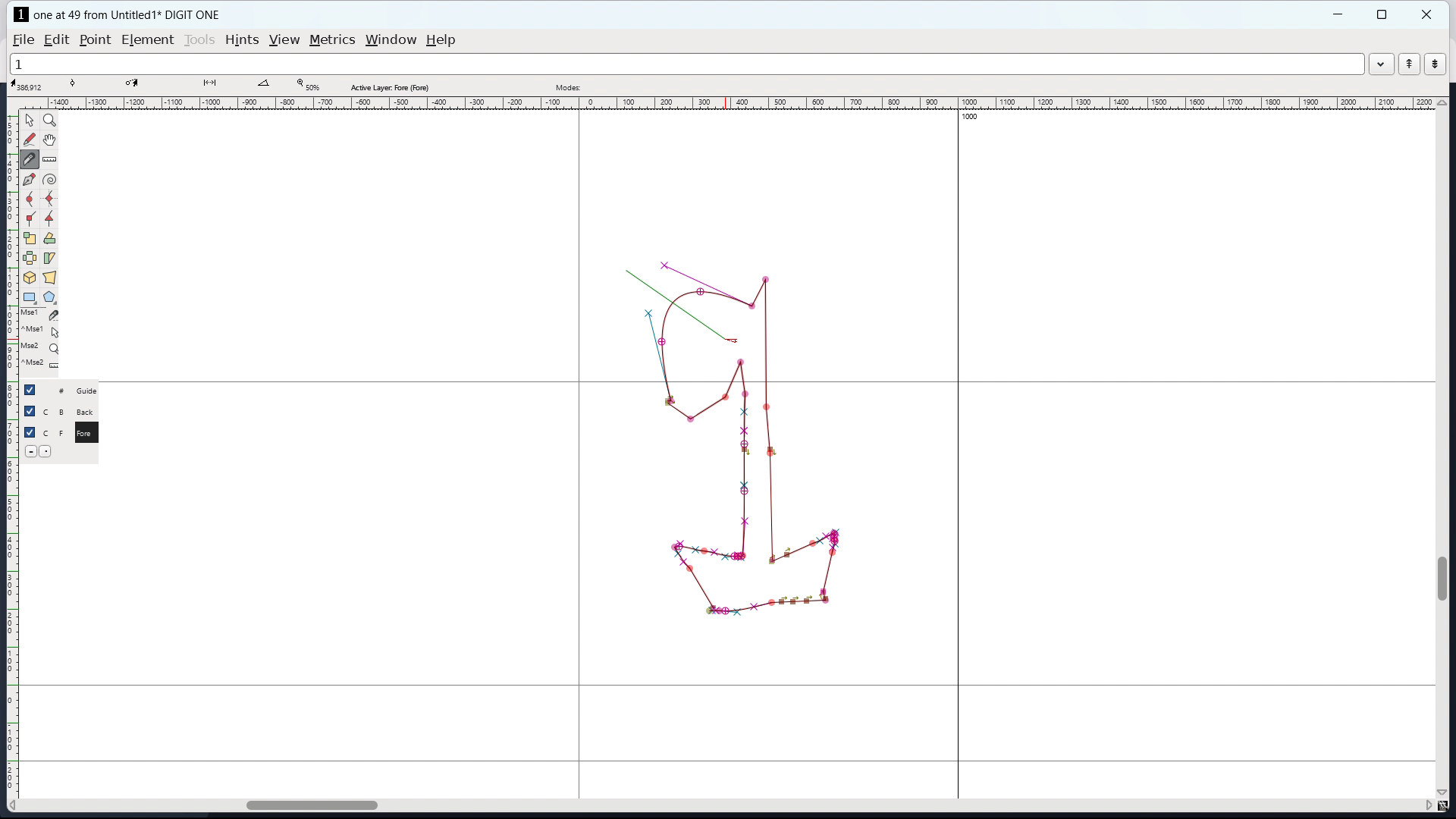 The image size is (1456, 819). I want to click on scroll right, so click(1426, 806).